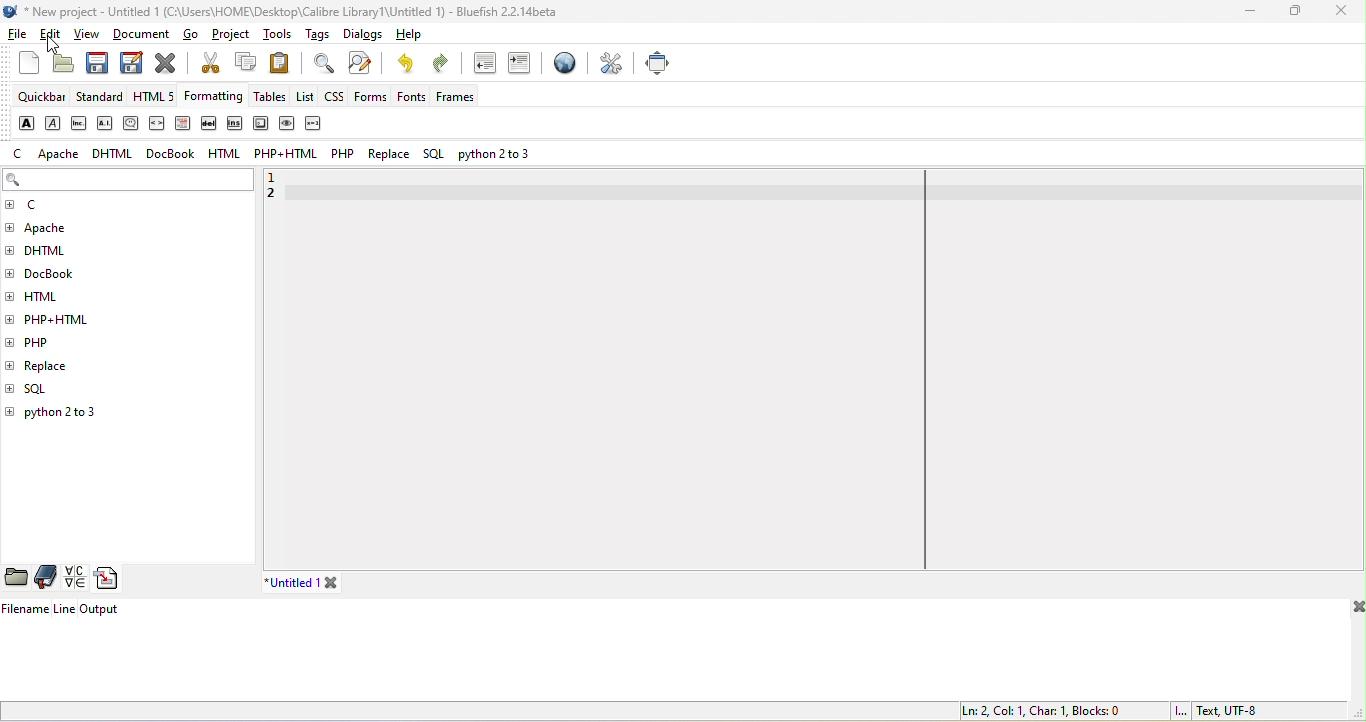 This screenshot has height=722, width=1366. I want to click on frames, so click(456, 98).